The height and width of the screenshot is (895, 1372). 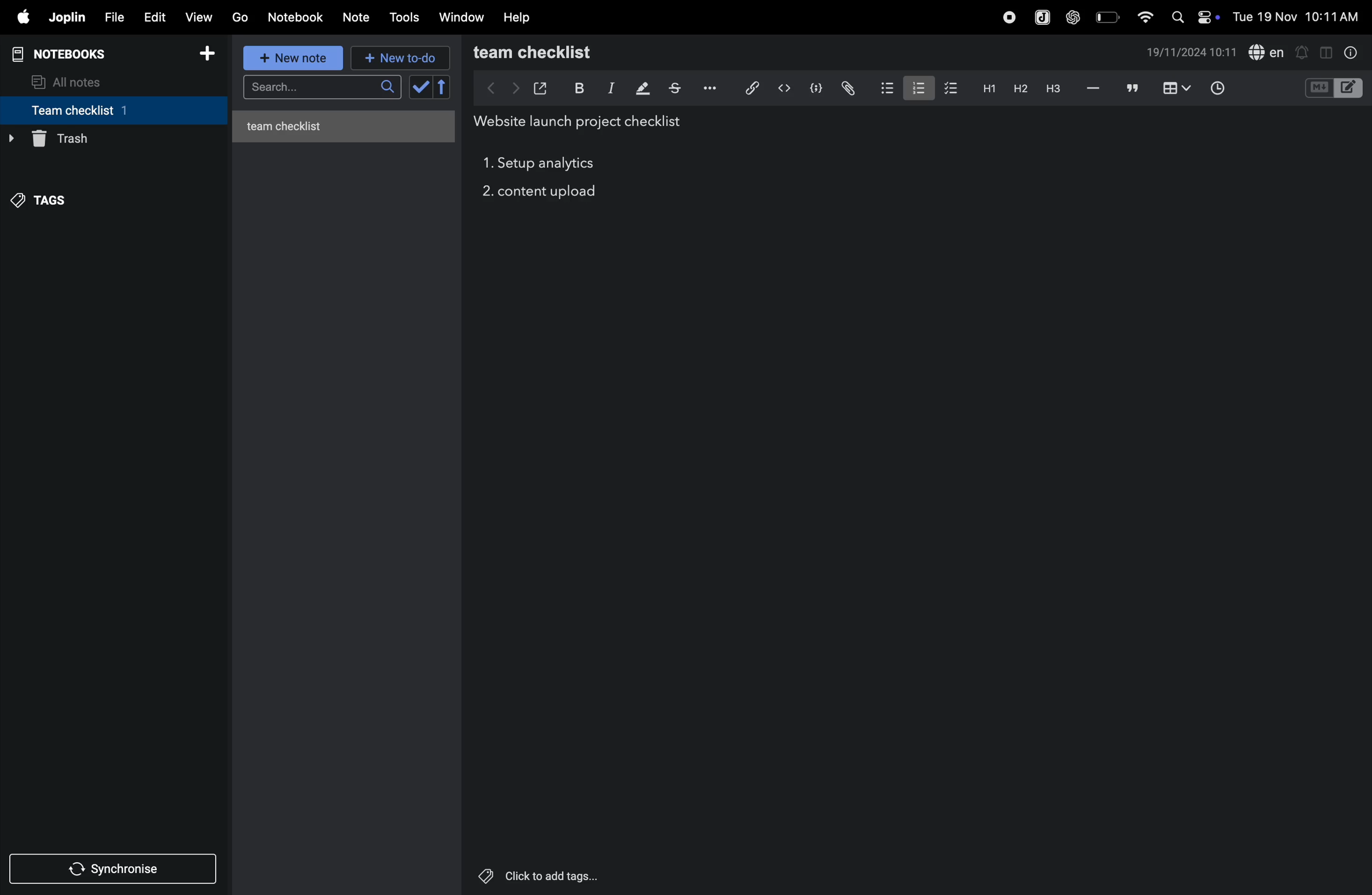 I want to click on team checklist, so click(x=94, y=110).